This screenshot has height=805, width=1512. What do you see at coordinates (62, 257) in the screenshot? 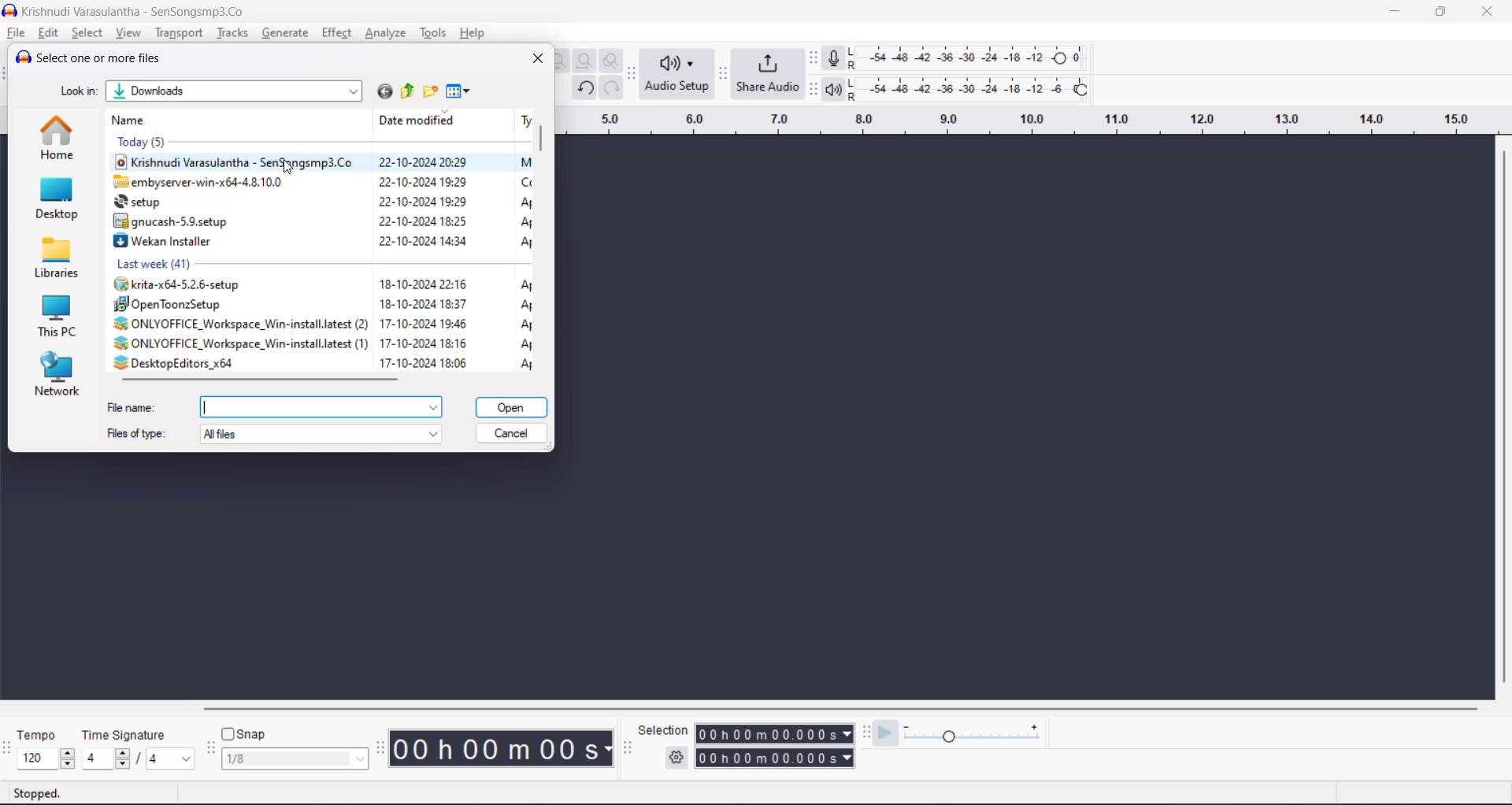
I see `libraries` at bounding box center [62, 257].